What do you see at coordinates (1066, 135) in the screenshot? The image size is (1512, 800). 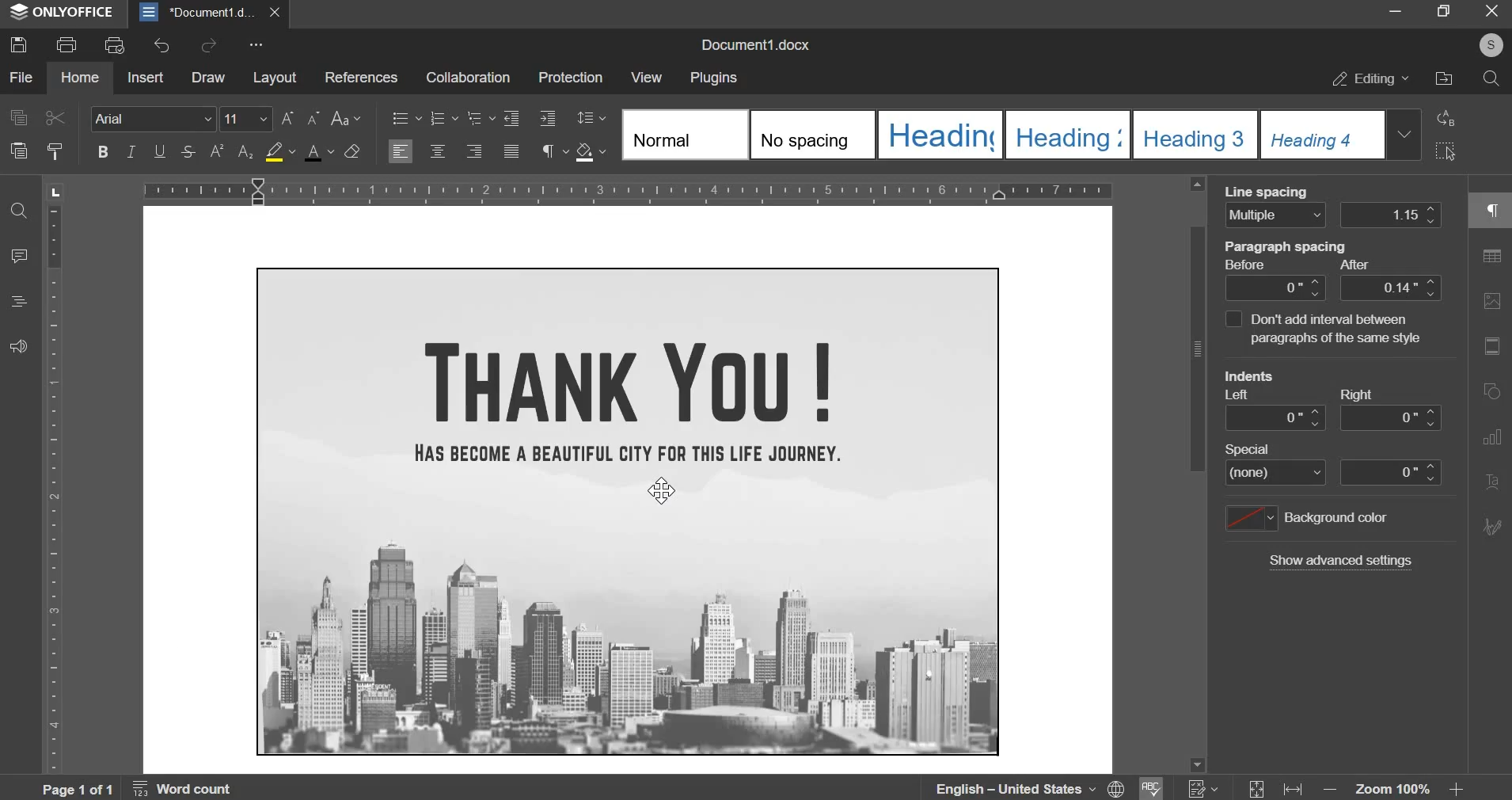 I see `Heading 3` at bounding box center [1066, 135].